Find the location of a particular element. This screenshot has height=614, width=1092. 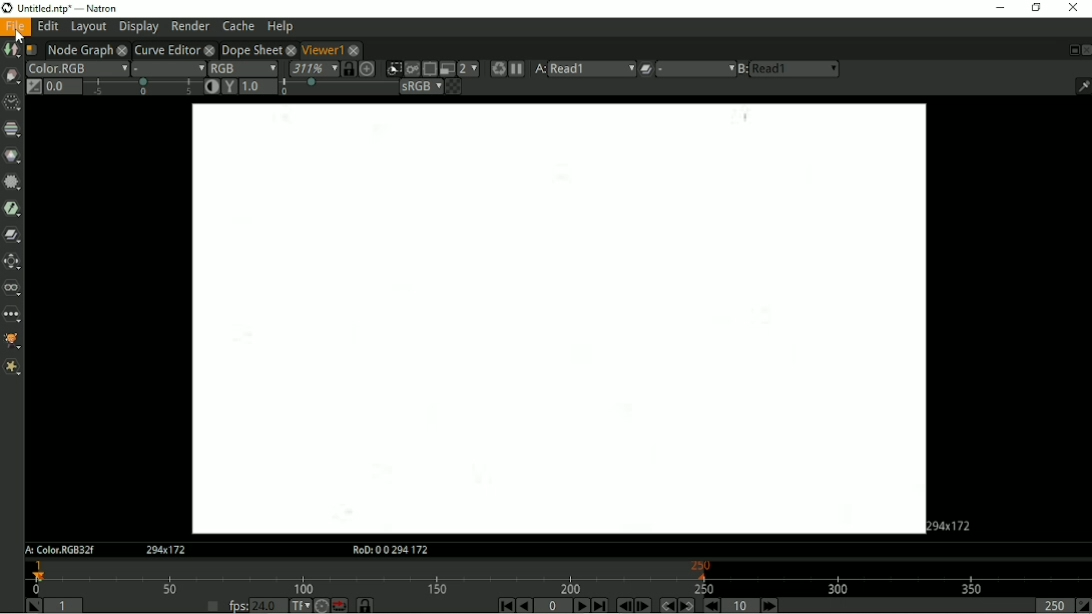

Set the time display format is located at coordinates (299, 606).